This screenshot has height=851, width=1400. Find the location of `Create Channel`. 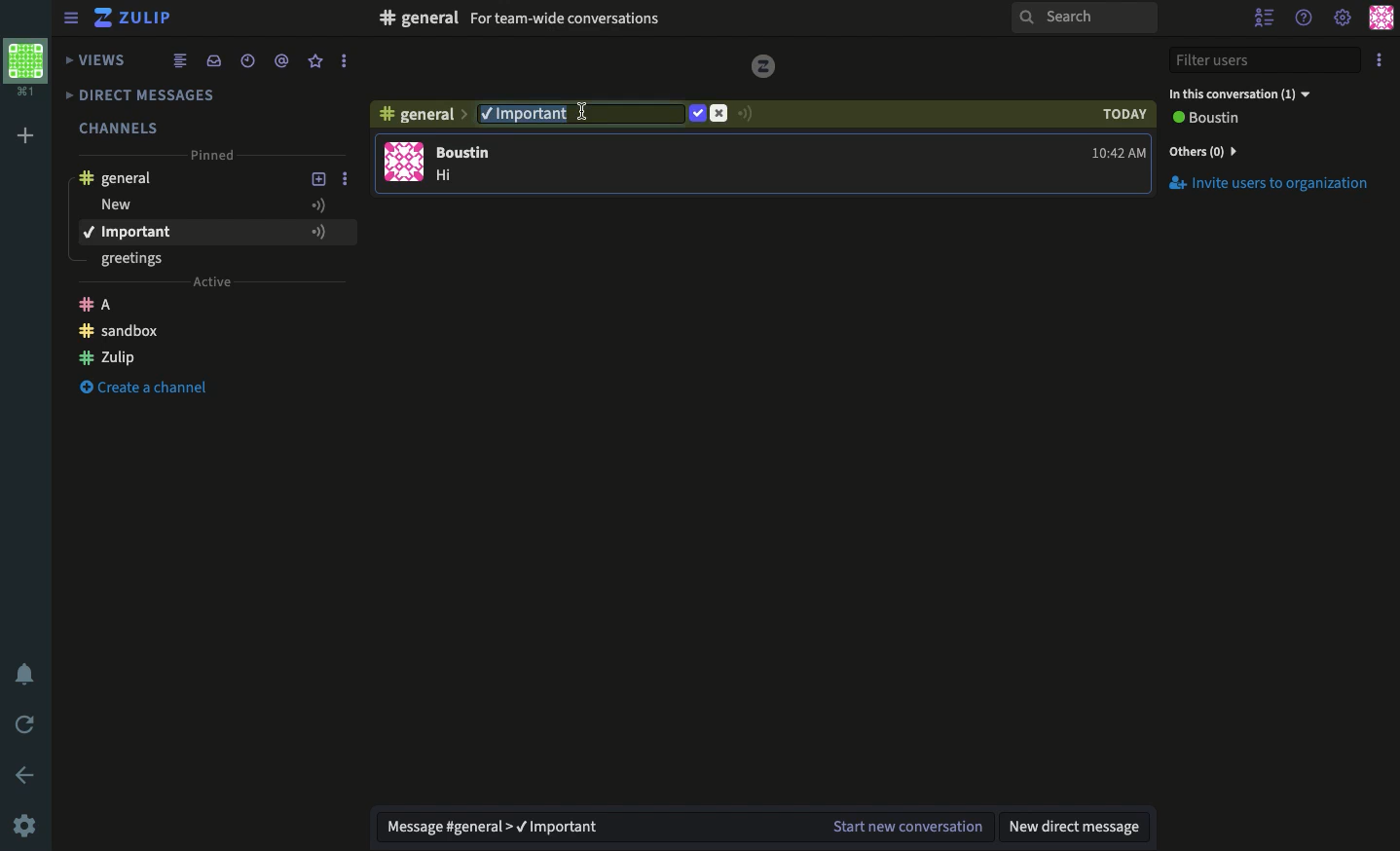

Create Channel is located at coordinates (159, 392).